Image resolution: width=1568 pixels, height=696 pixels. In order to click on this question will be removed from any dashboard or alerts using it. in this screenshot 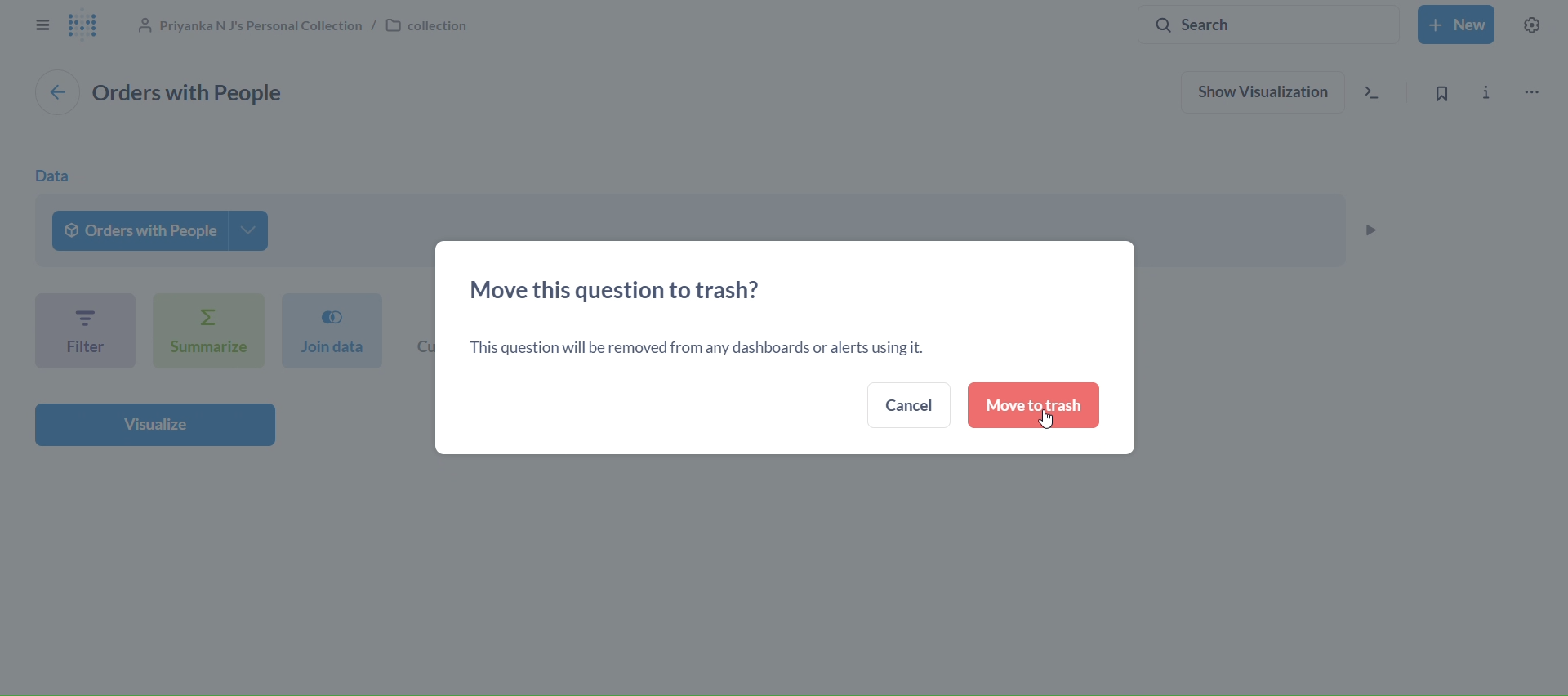, I will do `click(697, 349)`.